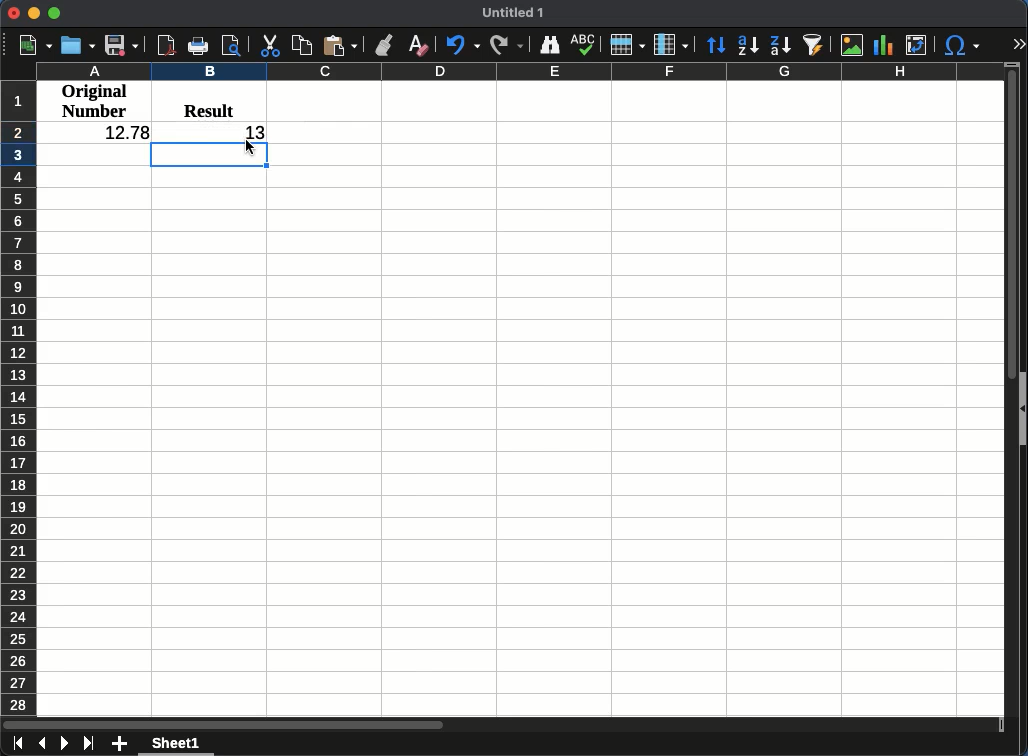  Describe the element at coordinates (166, 44) in the screenshot. I see `pdf view` at that location.